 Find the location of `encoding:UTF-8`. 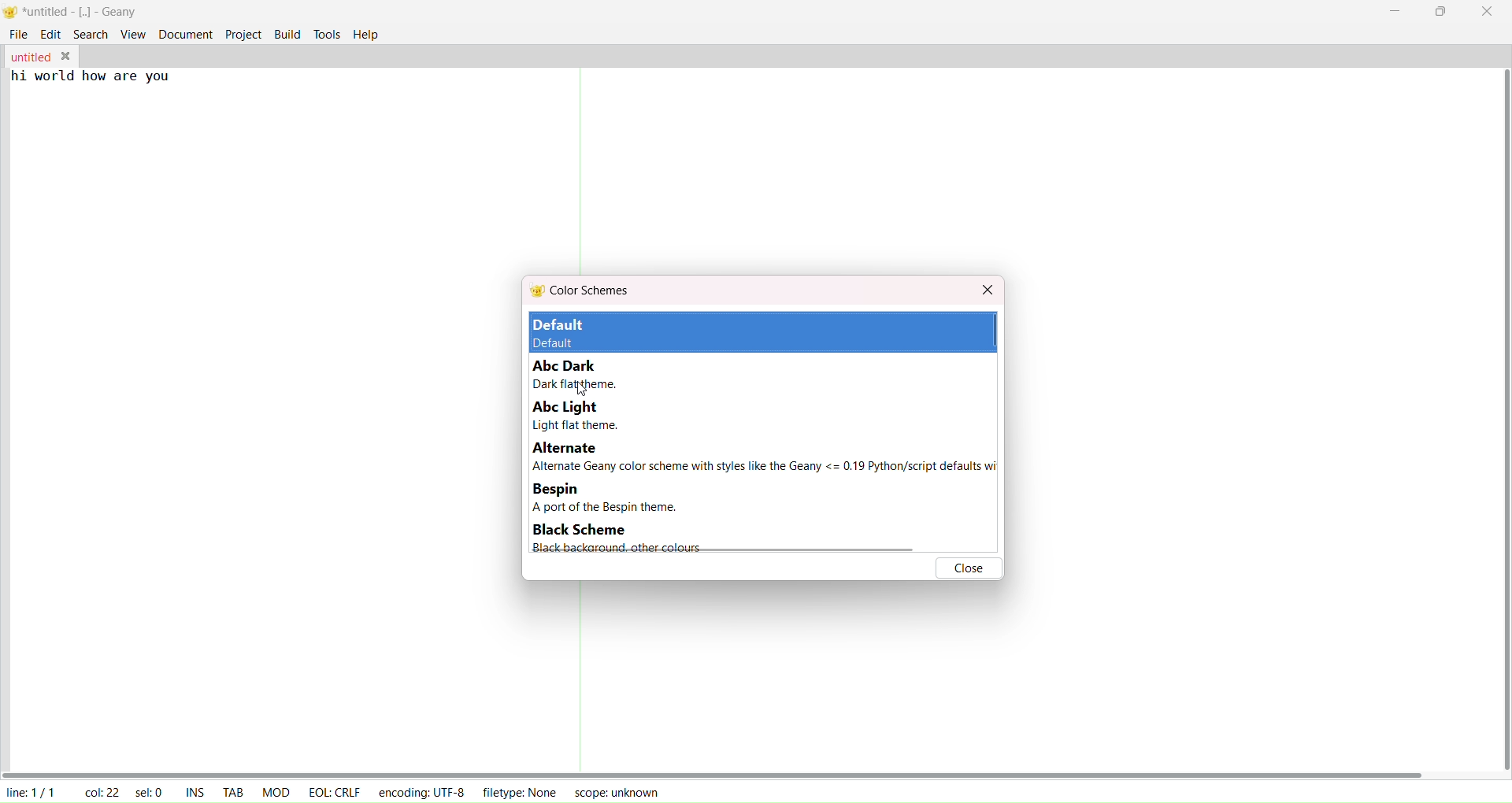

encoding:UTF-8 is located at coordinates (425, 790).